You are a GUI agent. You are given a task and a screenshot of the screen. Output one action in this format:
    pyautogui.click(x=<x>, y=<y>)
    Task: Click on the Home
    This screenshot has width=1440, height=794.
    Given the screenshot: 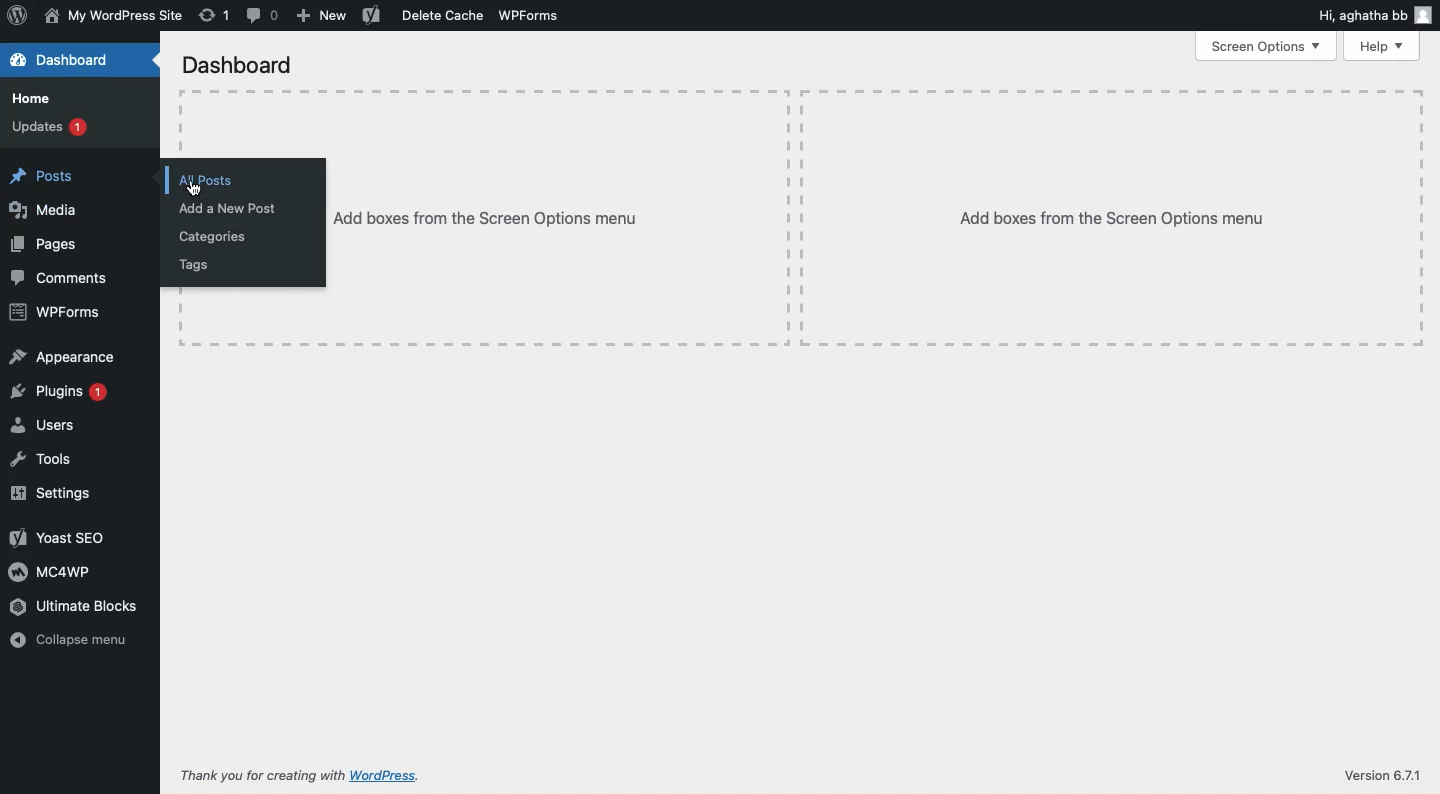 What is the action you would take?
    pyautogui.click(x=35, y=98)
    